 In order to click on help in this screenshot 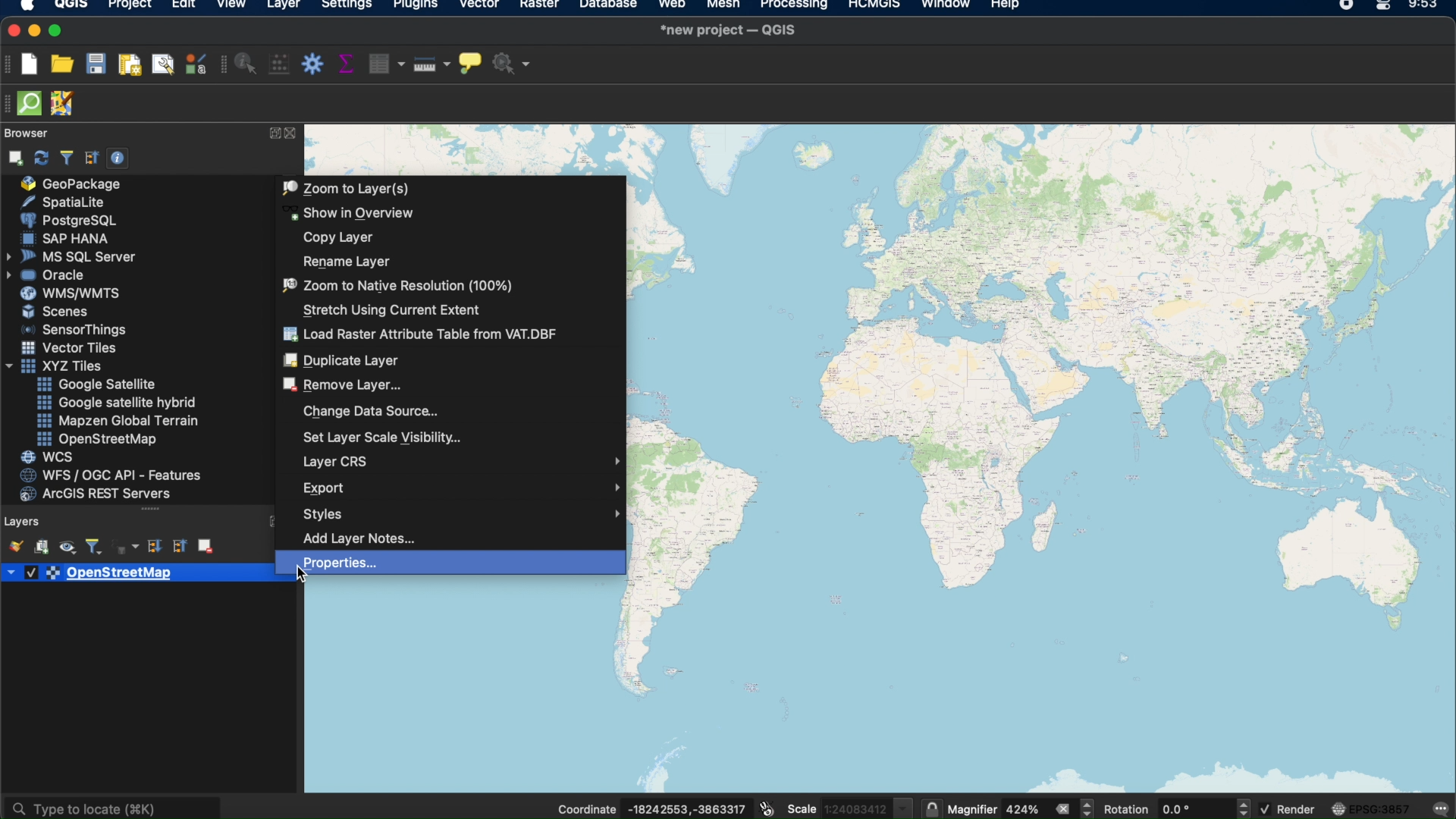, I will do `click(1006, 6)`.